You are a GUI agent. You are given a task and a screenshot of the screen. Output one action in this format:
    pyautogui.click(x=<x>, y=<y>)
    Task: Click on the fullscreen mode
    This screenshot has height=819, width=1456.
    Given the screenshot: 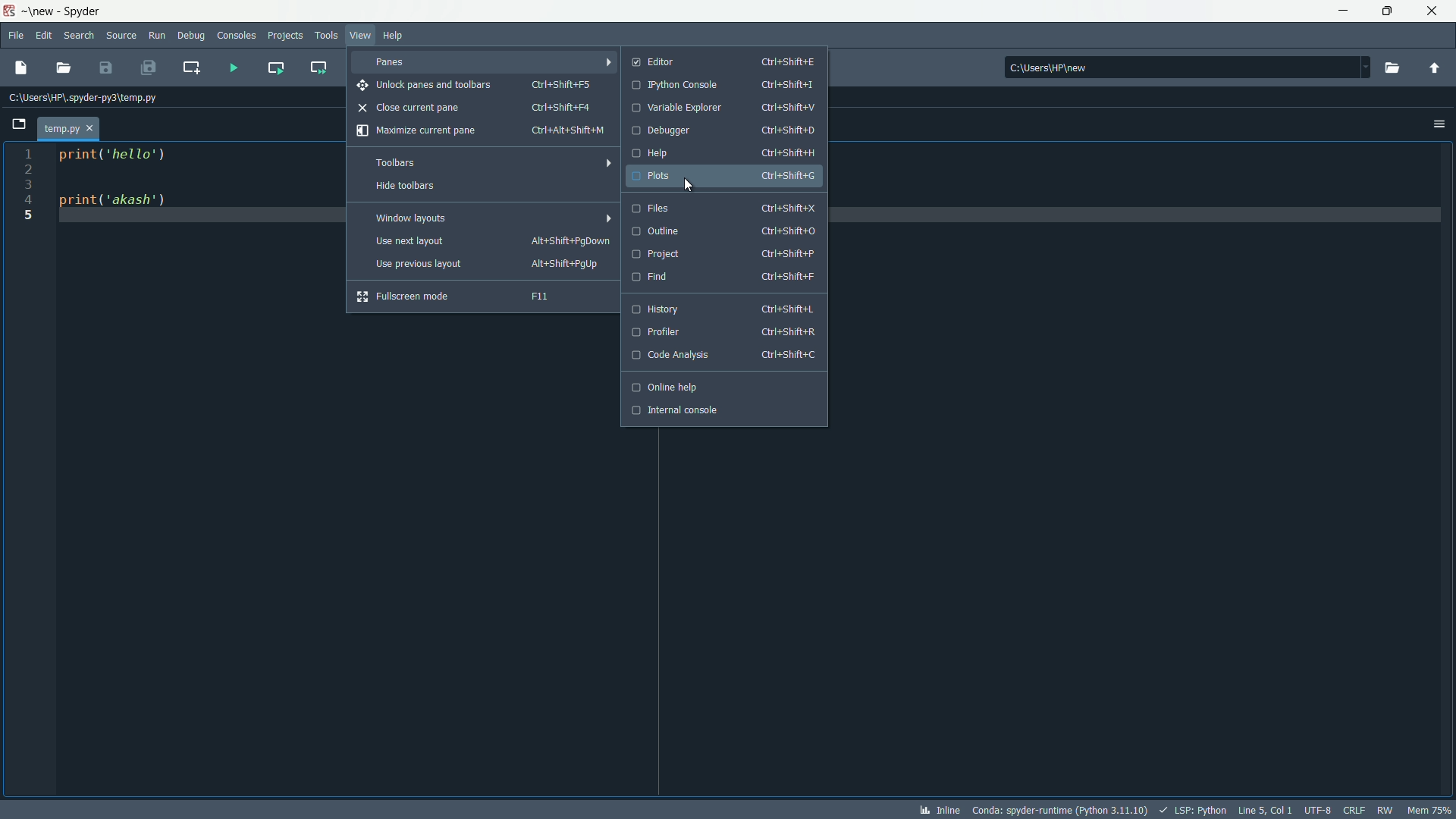 What is the action you would take?
    pyautogui.click(x=474, y=296)
    